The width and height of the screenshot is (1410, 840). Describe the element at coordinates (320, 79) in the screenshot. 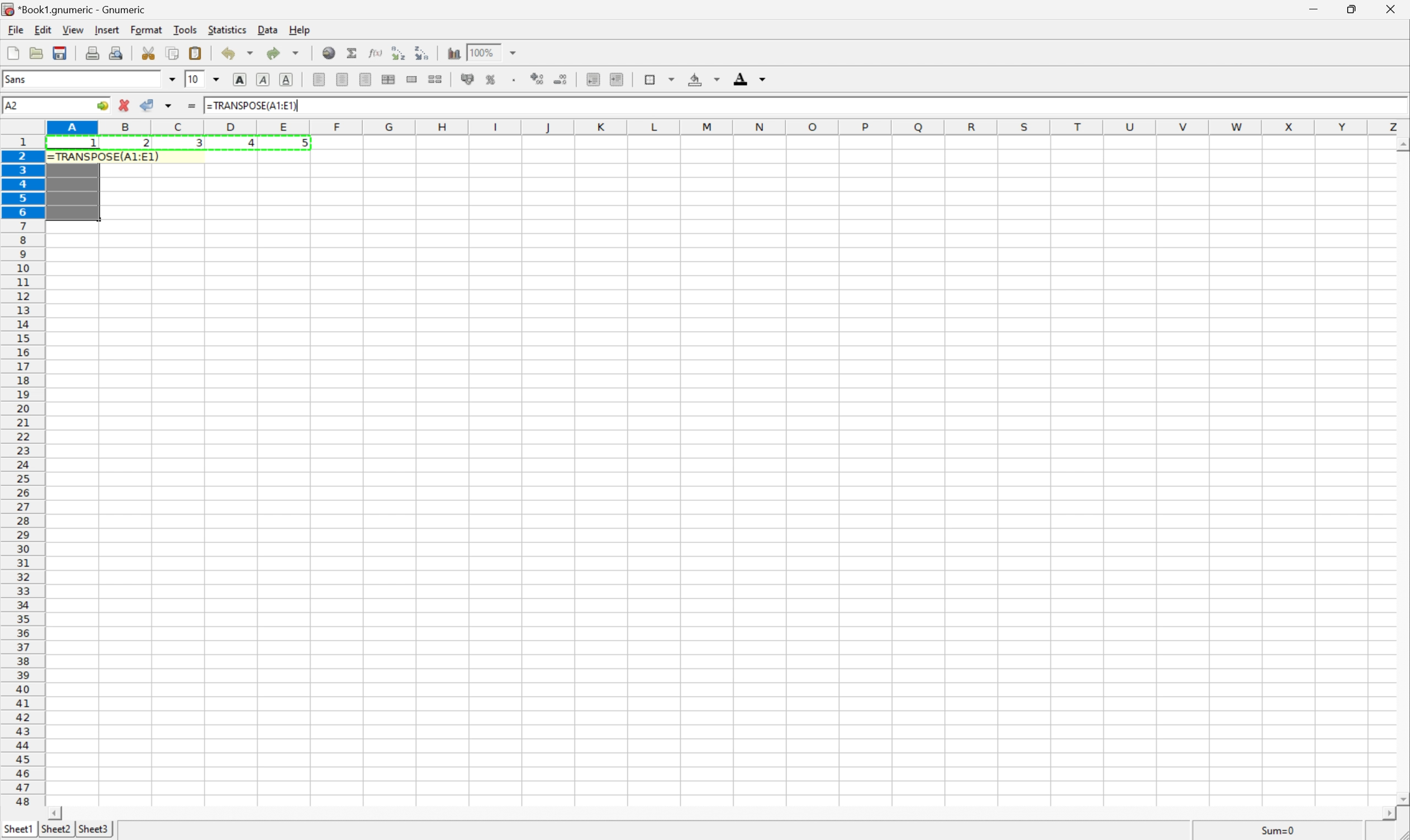

I see `align left` at that location.